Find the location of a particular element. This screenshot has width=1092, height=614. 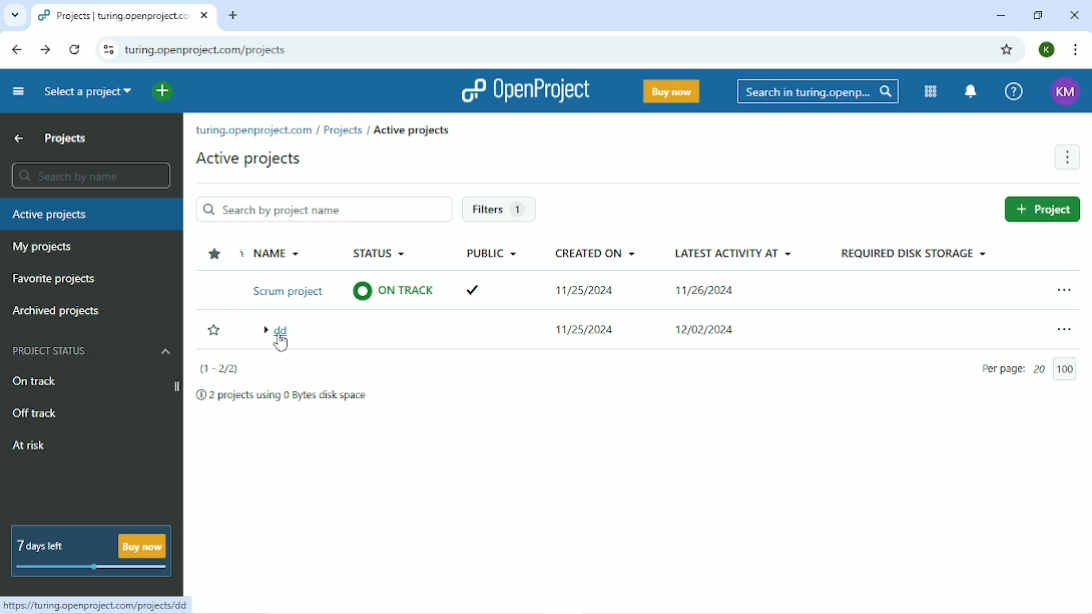

View site information is located at coordinates (109, 50).